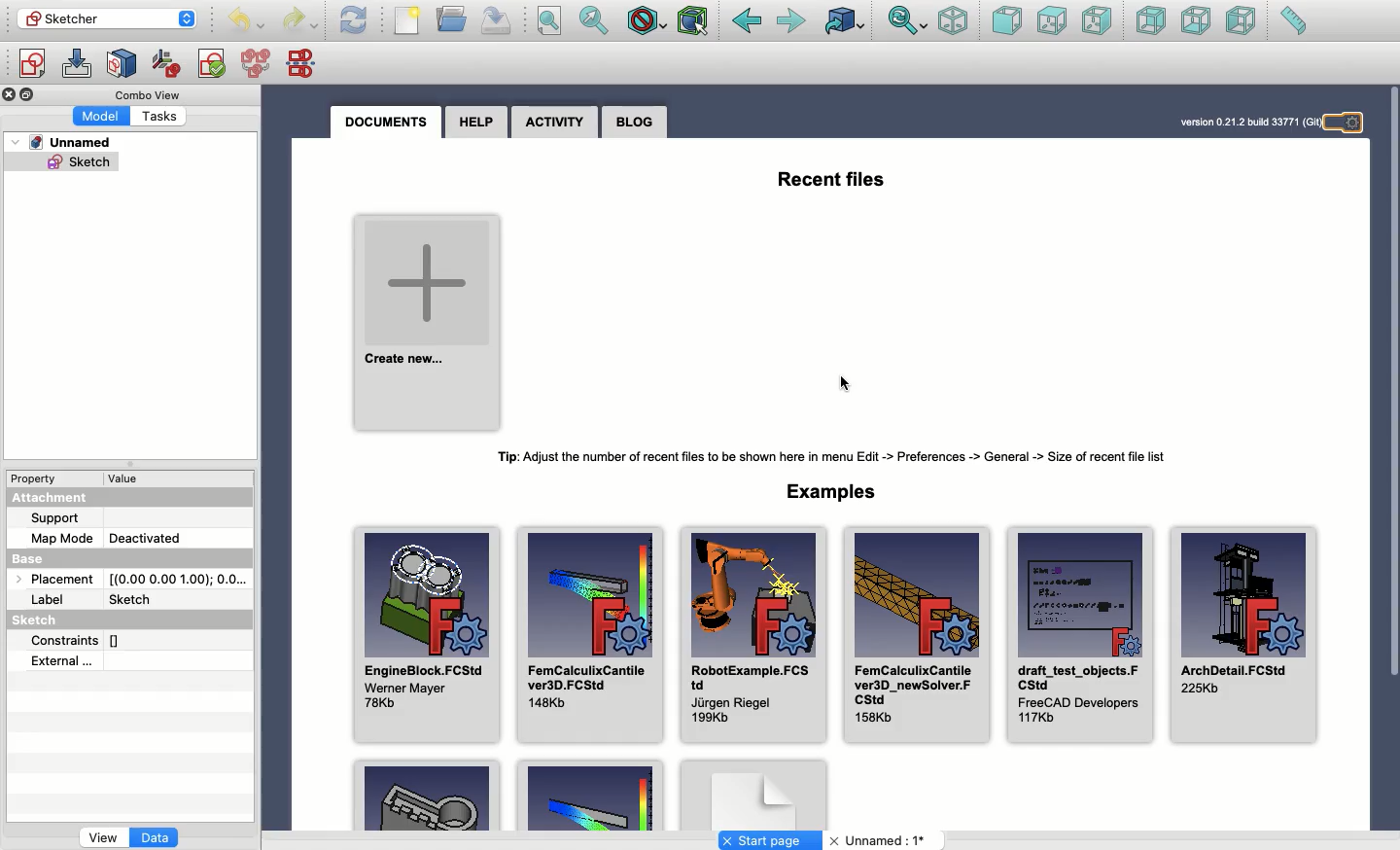  Describe the element at coordinates (304, 64) in the screenshot. I see `Mirror sketch` at that location.